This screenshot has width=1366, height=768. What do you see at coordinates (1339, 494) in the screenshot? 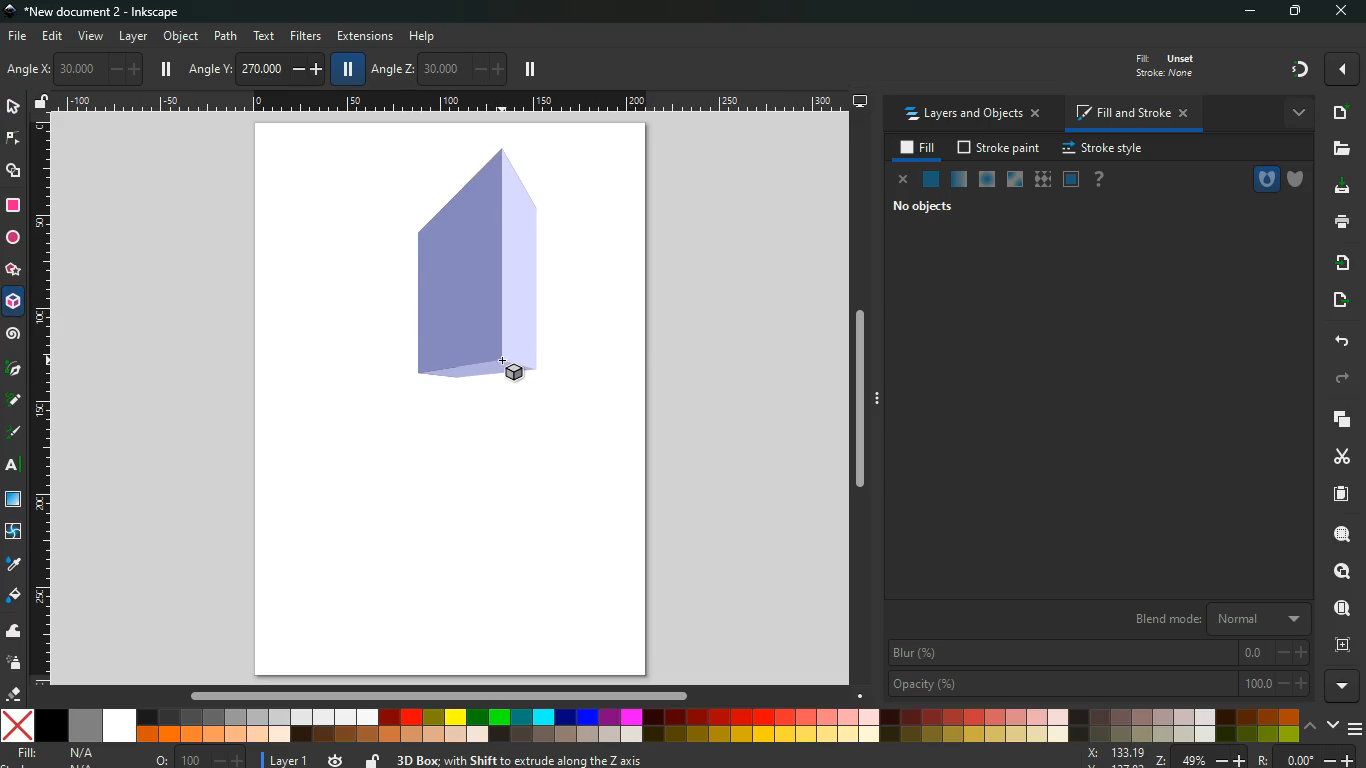
I see `paper` at bounding box center [1339, 494].